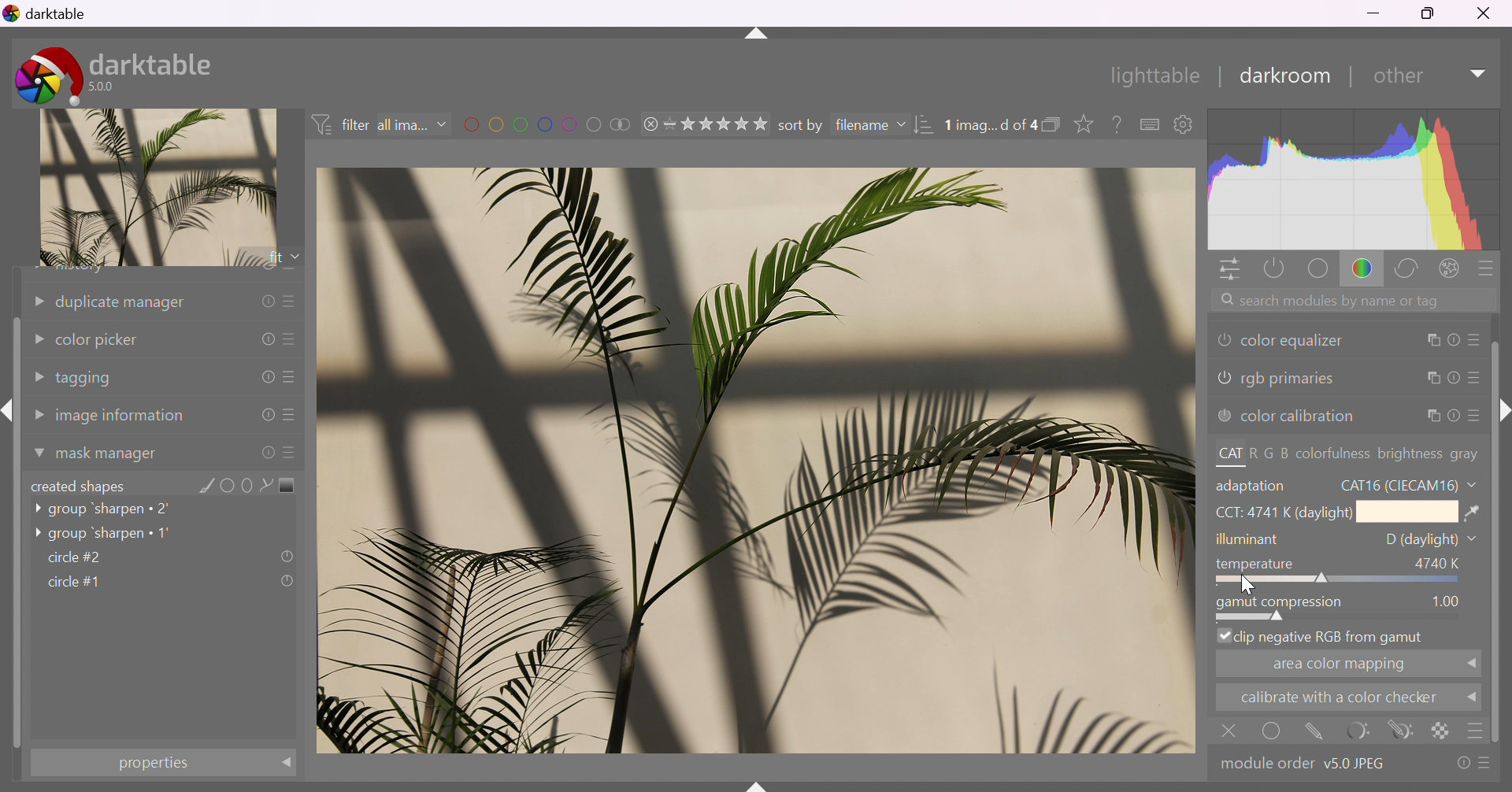 Image resolution: width=1512 pixels, height=792 pixels. Describe the element at coordinates (1284, 78) in the screenshot. I see `darkroom` at that location.